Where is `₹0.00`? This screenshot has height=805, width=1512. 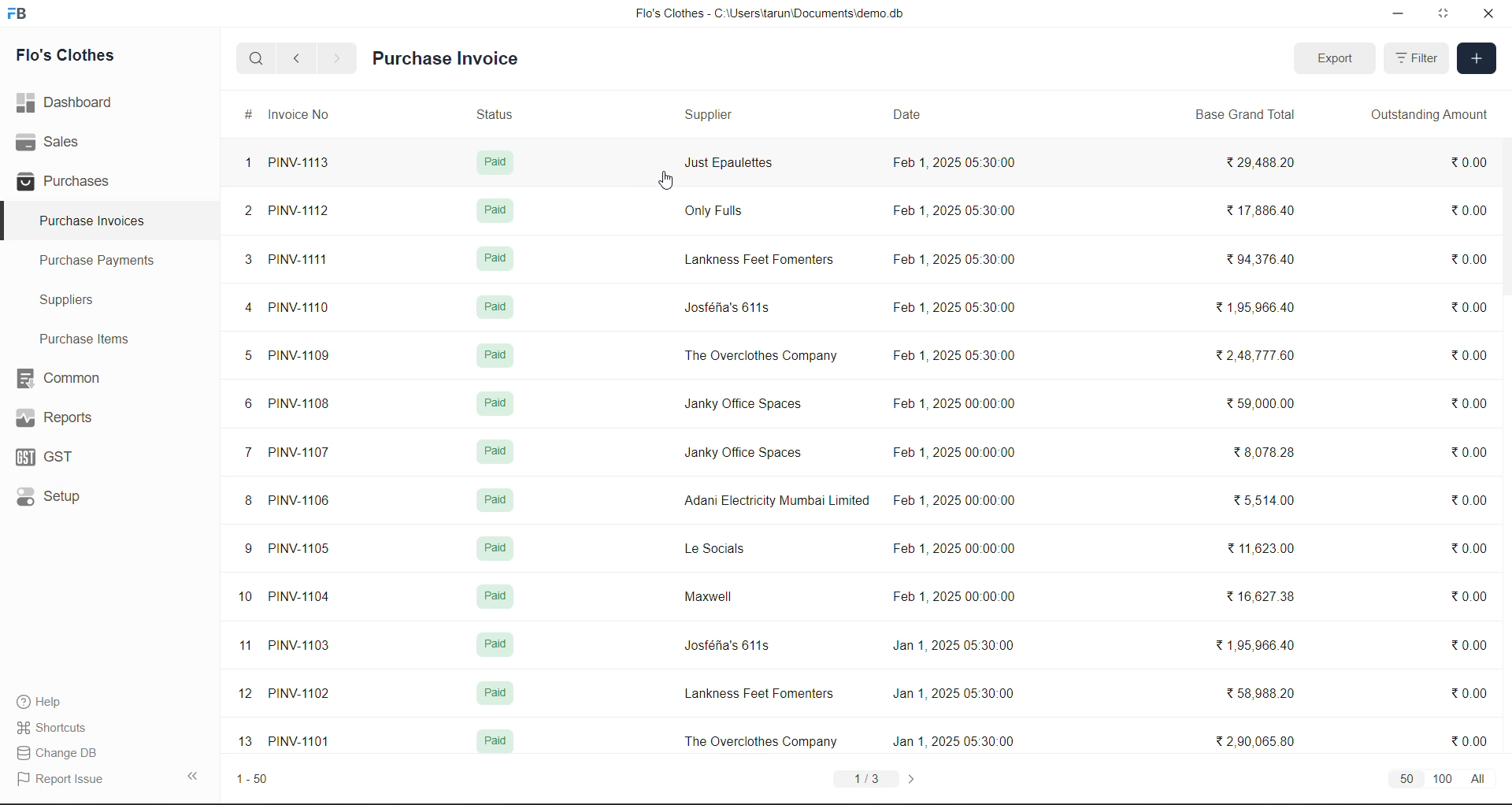 ₹0.00 is located at coordinates (1473, 504).